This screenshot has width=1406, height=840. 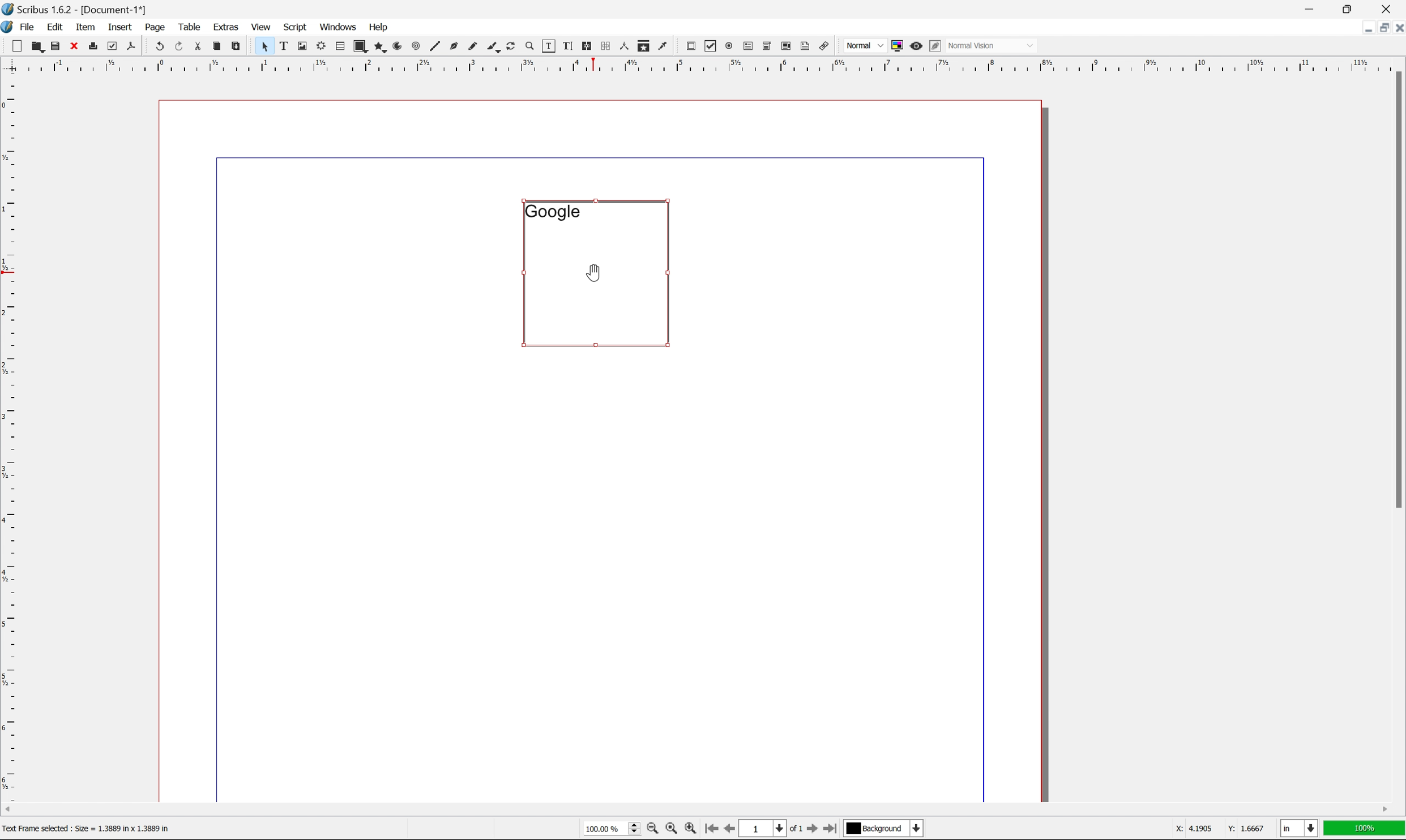 What do you see at coordinates (785, 48) in the screenshot?
I see `pdf list box` at bounding box center [785, 48].